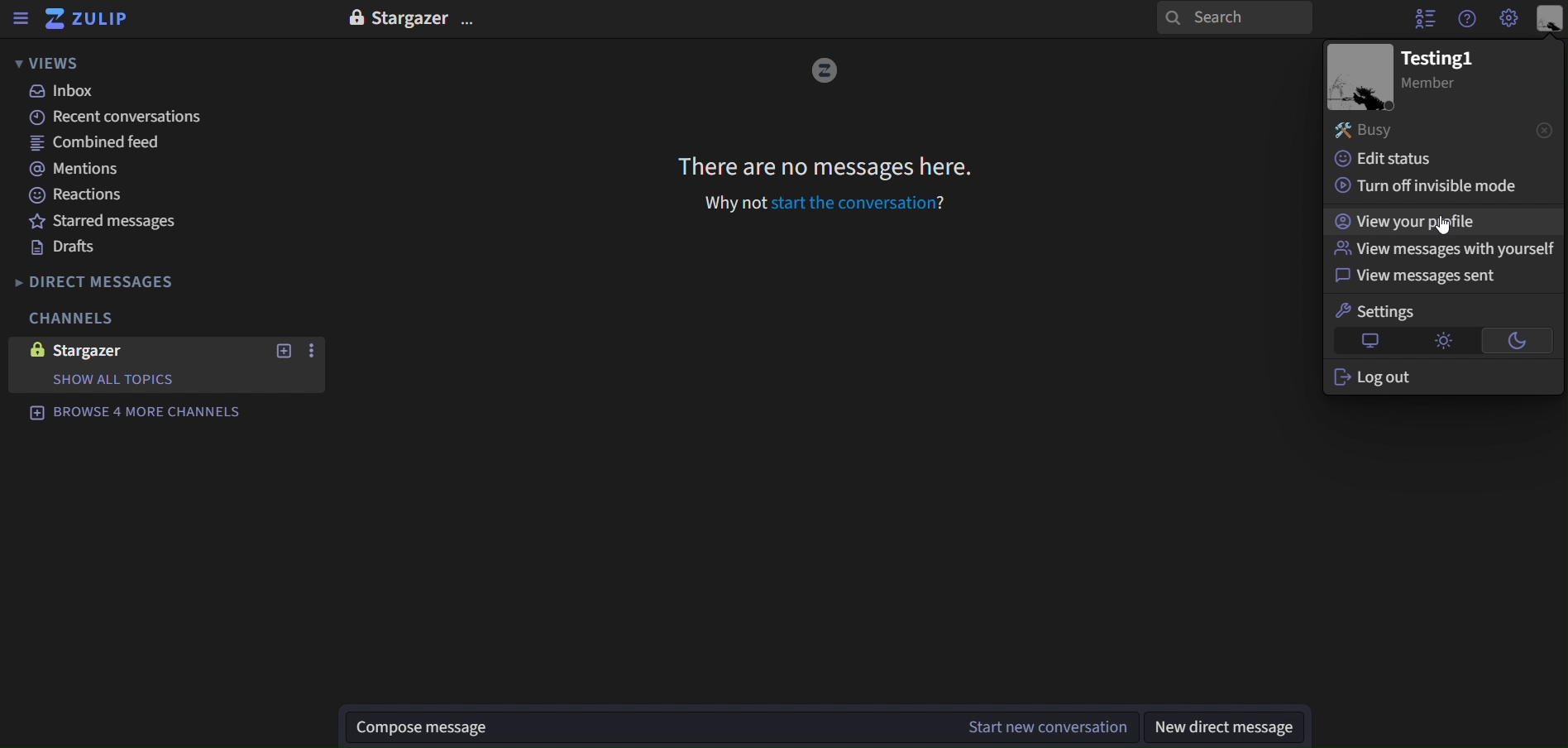 The width and height of the screenshot is (1568, 748). I want to click on log out, so click(1377, 379).